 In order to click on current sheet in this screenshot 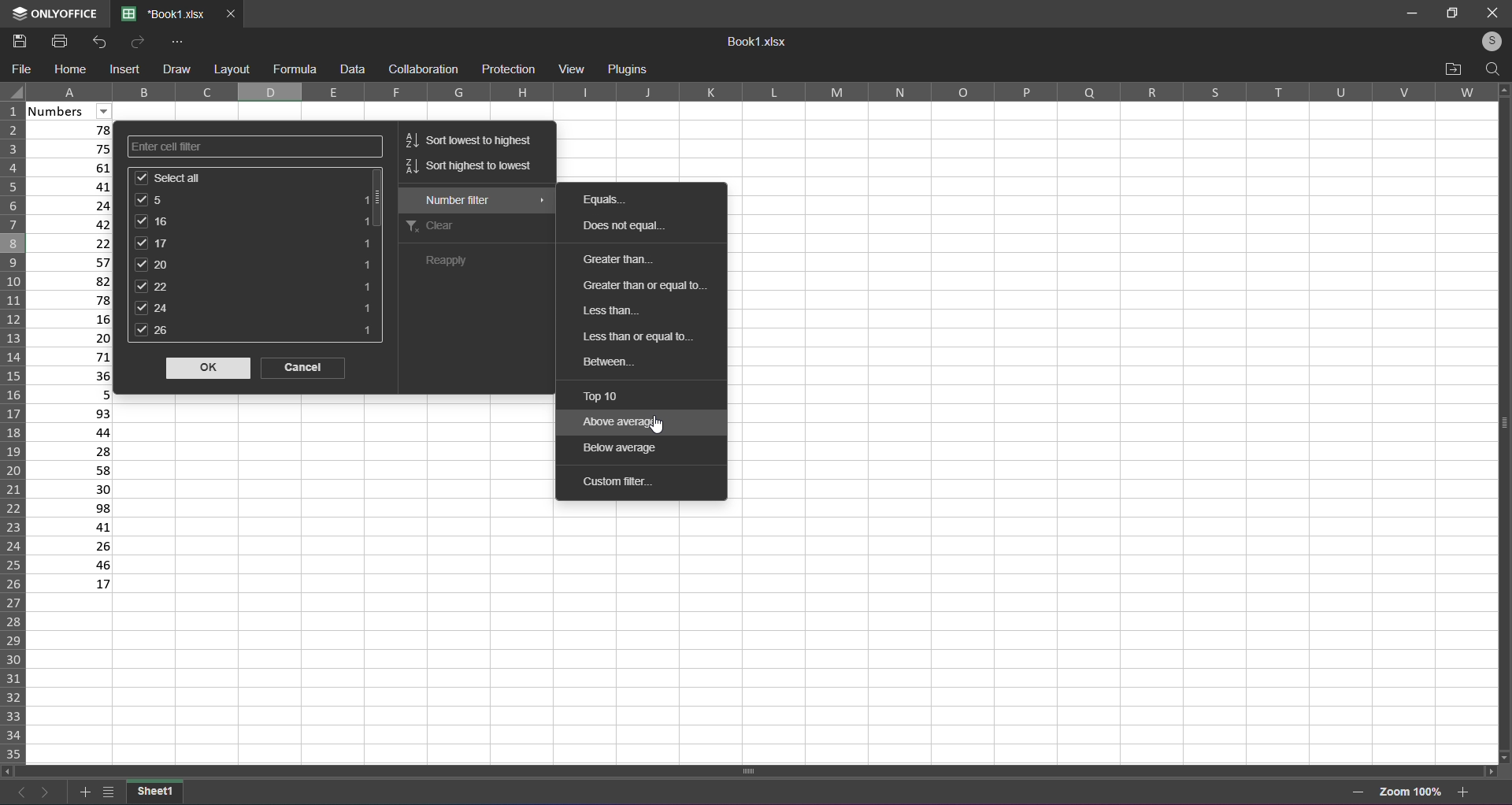, I will do `click(155, 791)`.